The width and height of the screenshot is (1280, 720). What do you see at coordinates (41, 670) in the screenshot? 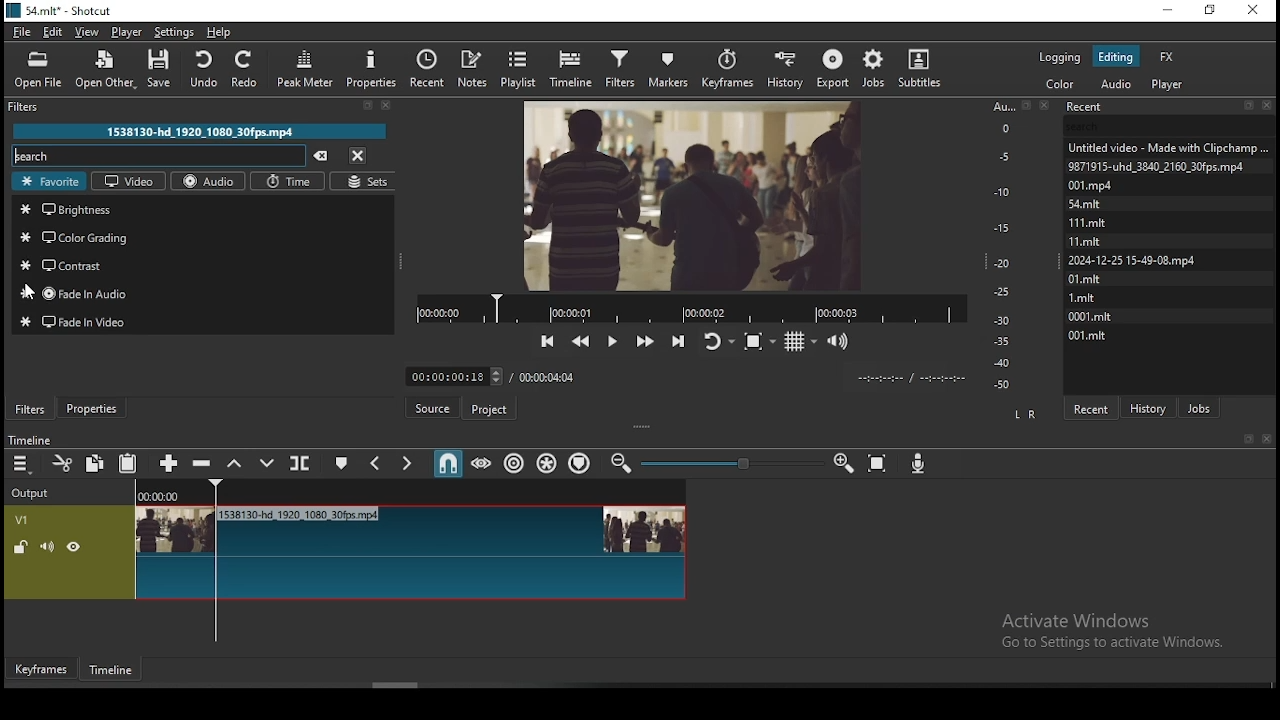
I see `keyframe` at bounding box center [41, 670].